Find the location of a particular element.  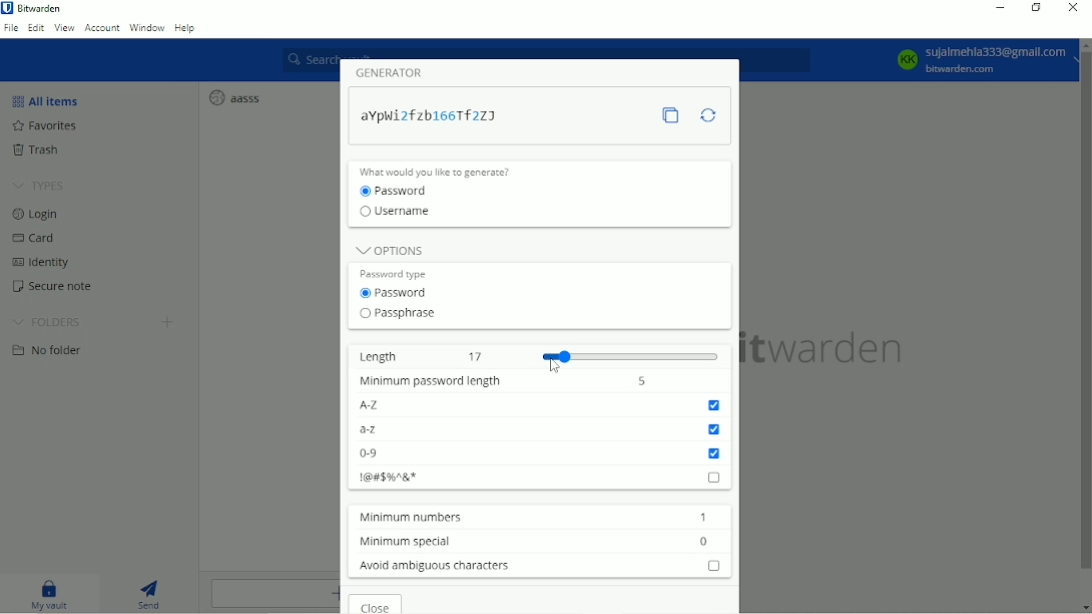

Types is located at coordinates (39, 186).